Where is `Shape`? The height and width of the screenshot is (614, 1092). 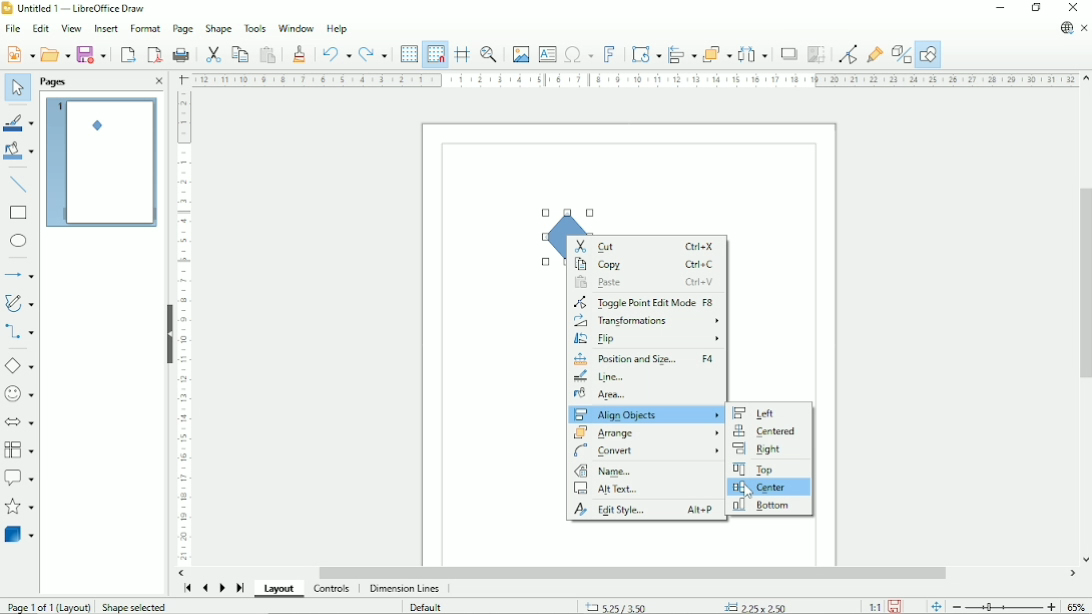 Shape is located at coordinates (218, 28).